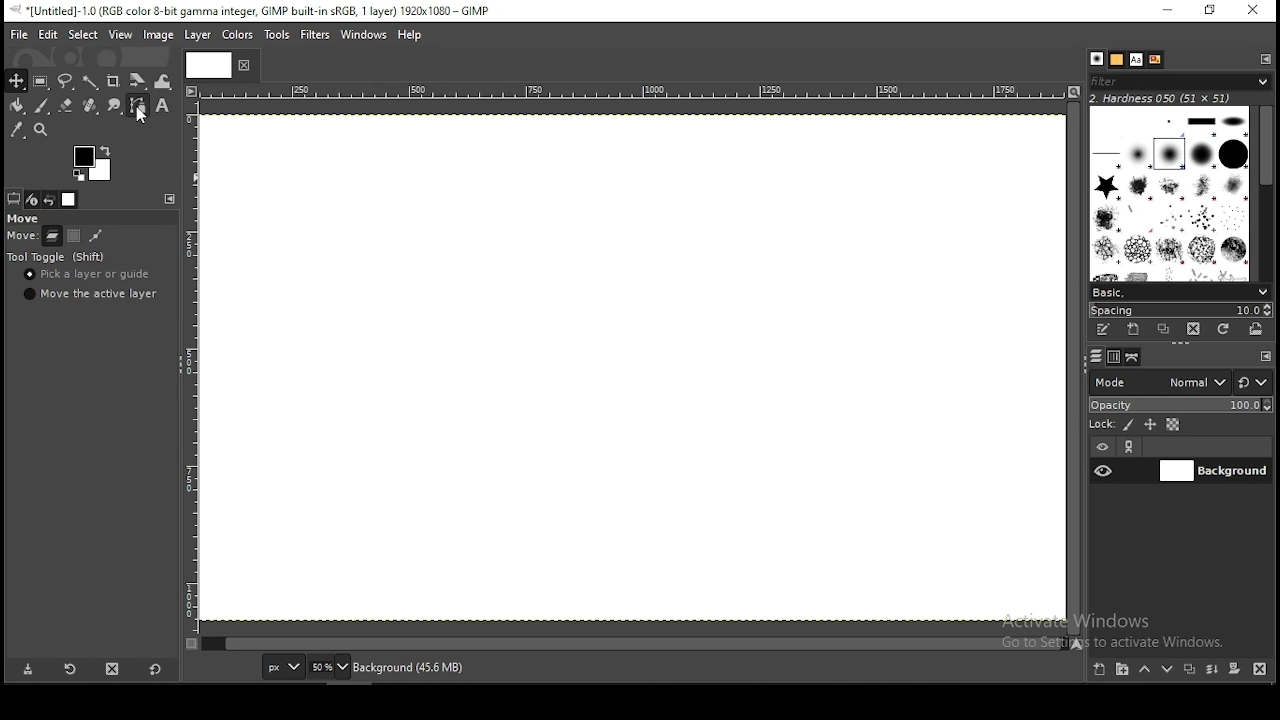 The height and width of the screenshot is (720, 1280). What do you see at coordinates (47, 35) in the screenshot?
I see `edit` at bounding box center [47, 35].